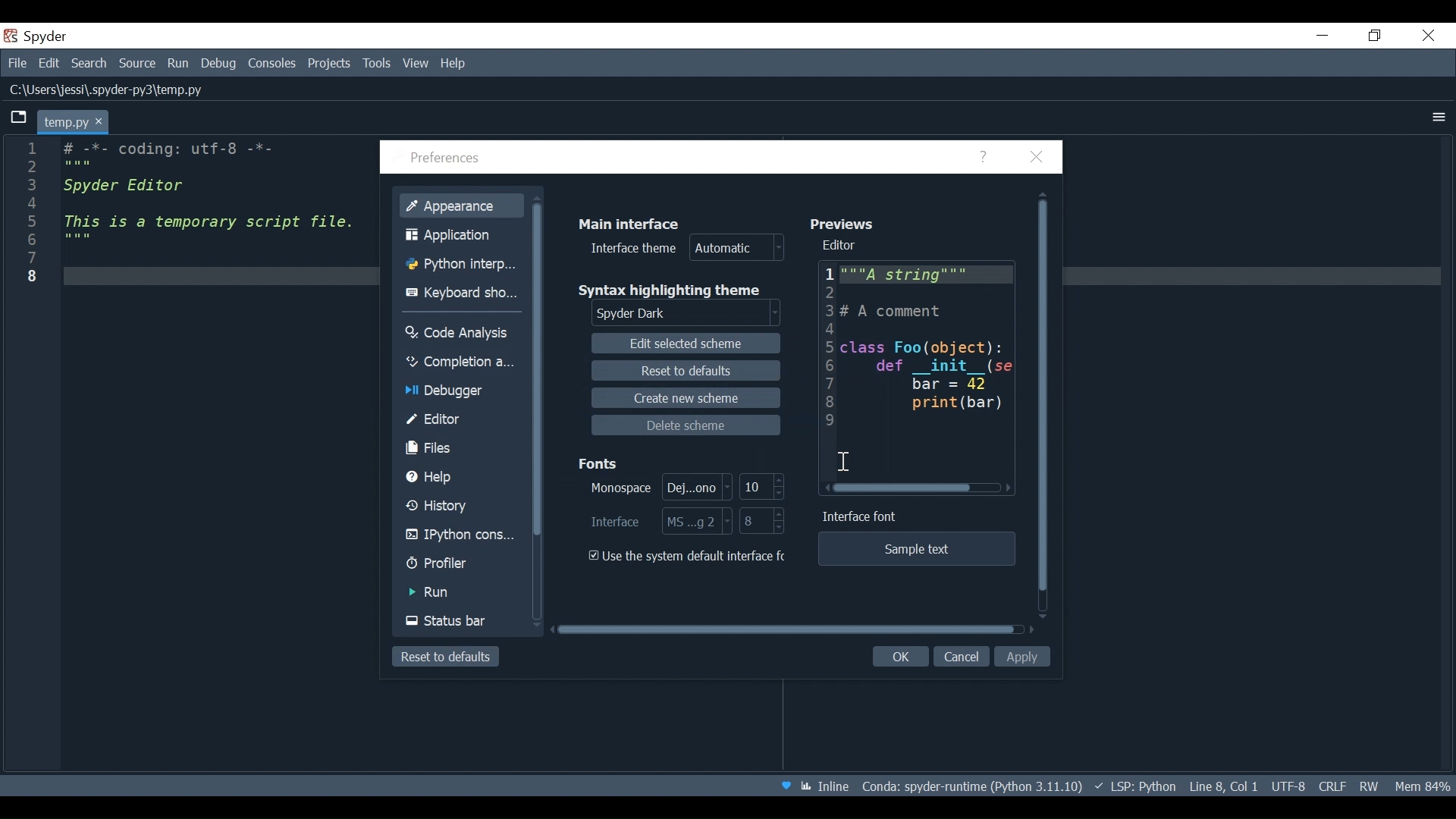  Describe the element at coordinates (465, 265) in the screenshot. I see `Python Interpreter` at that location.